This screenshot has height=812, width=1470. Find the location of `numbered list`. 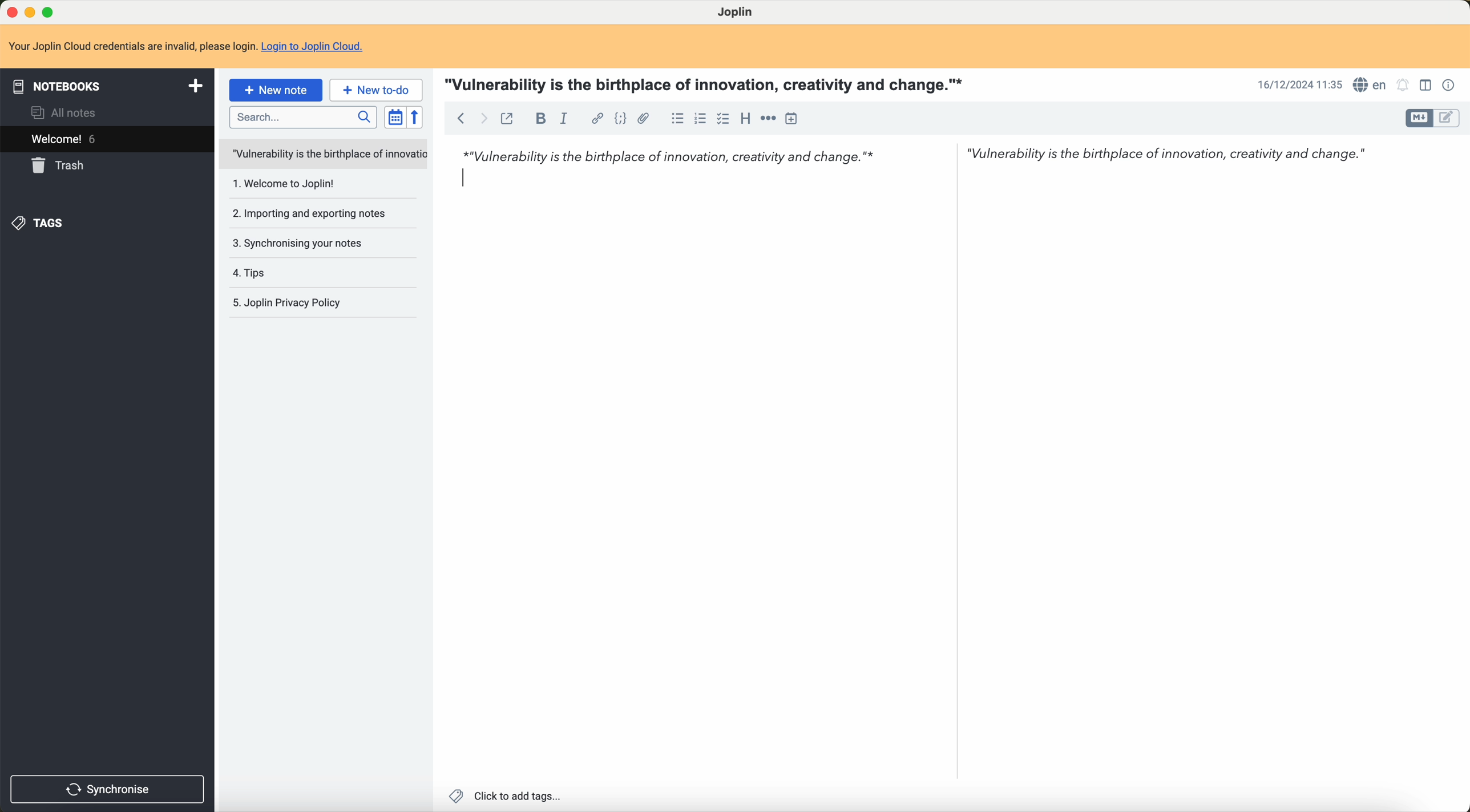

numbered list is located at coordinates (701, 120).